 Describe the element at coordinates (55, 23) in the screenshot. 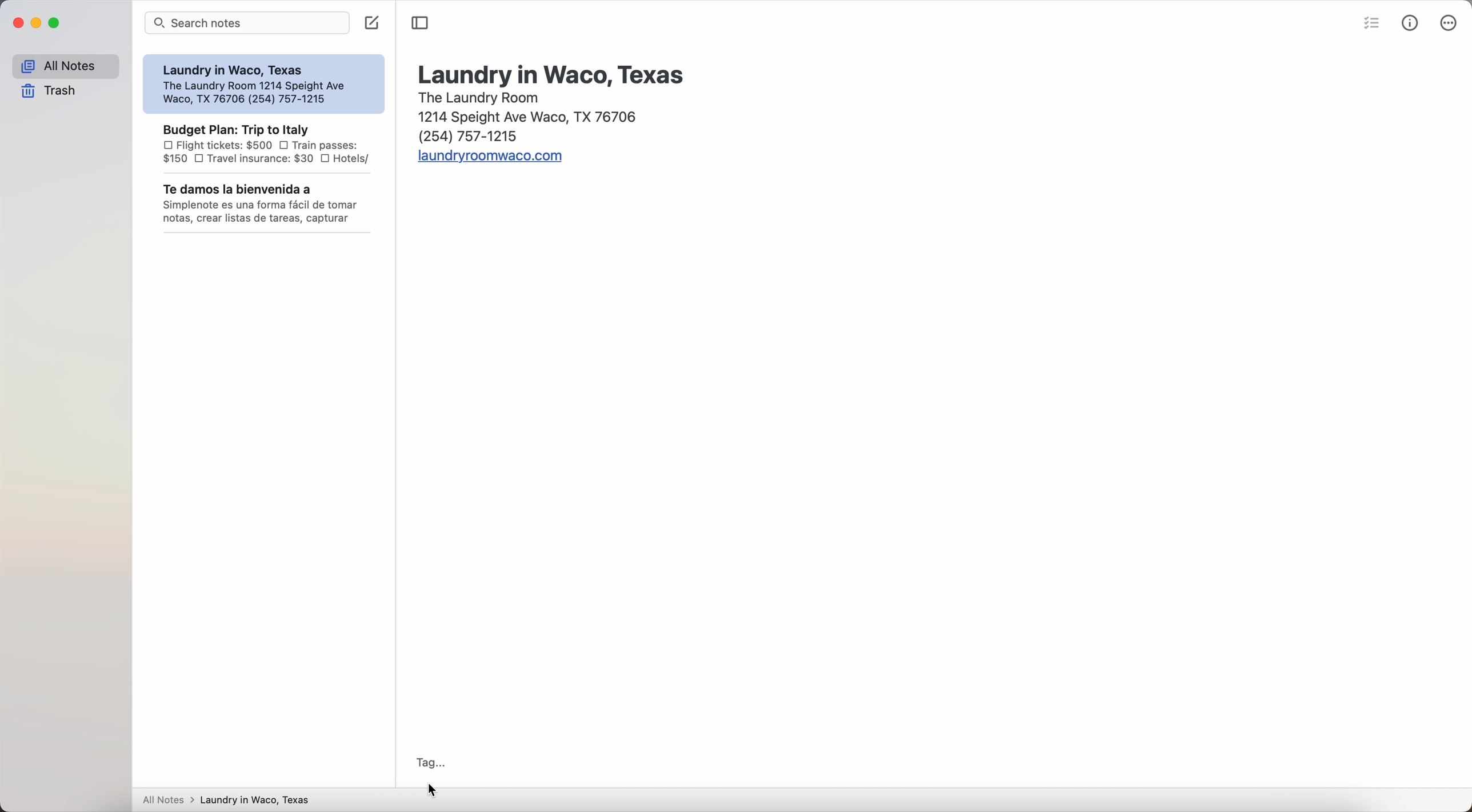

I see `maximize Simplenote` at that location.